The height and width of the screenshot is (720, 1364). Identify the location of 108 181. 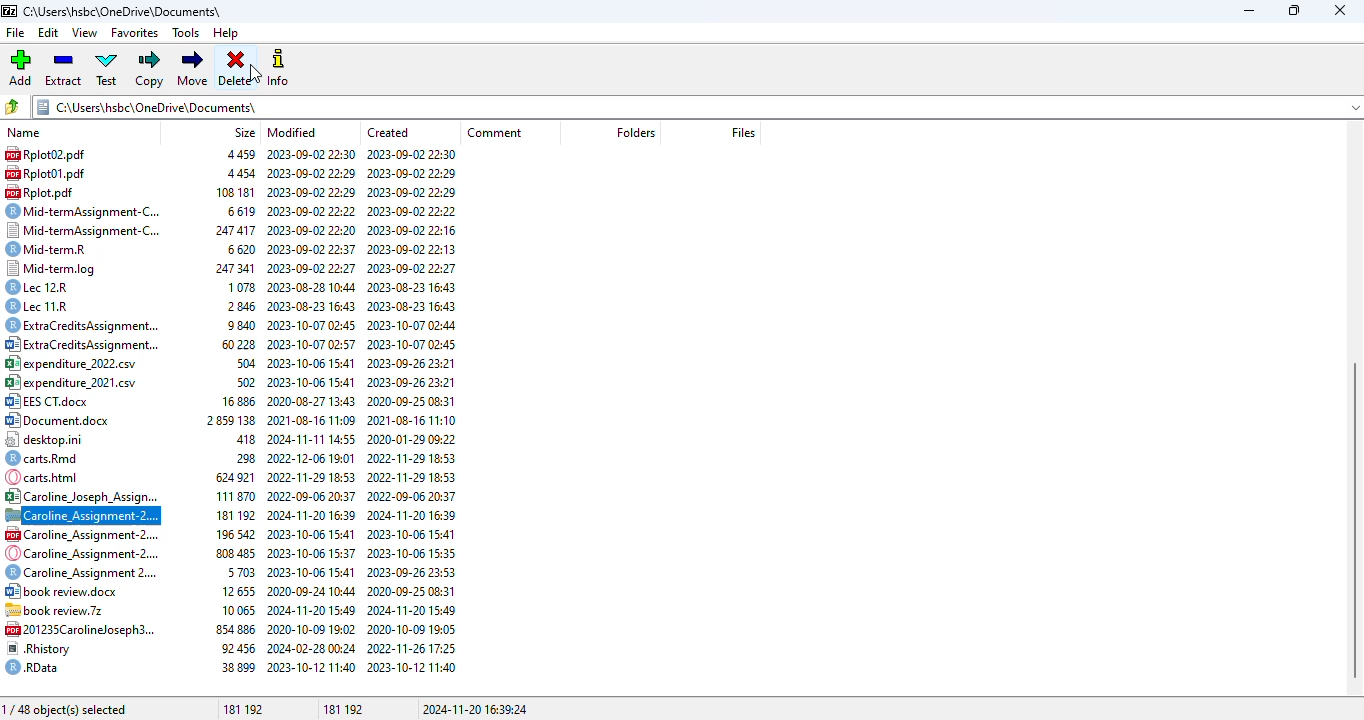
(233, 192).